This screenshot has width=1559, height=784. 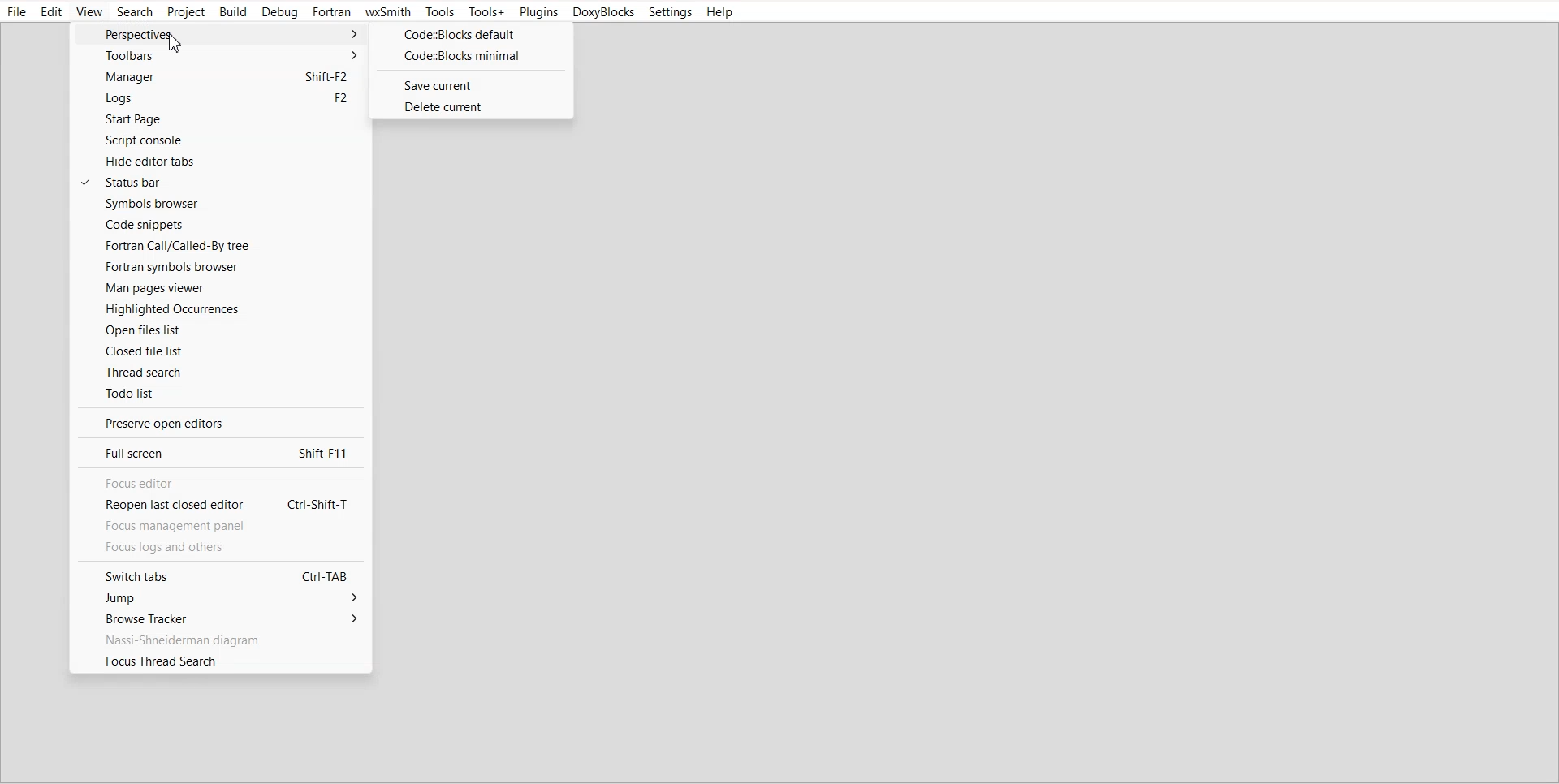 I want to click on Fortran call, so click(x=219, y=245).